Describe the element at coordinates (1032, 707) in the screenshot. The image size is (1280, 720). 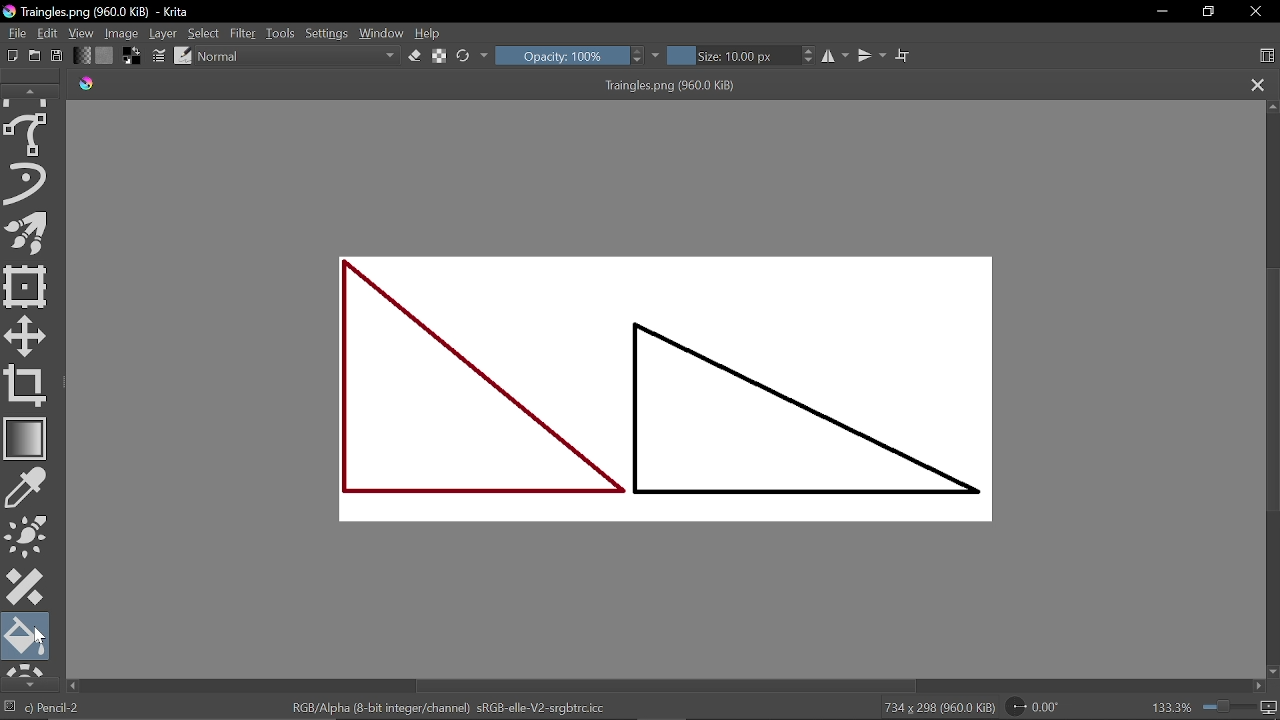
I see `0.00` at that location.